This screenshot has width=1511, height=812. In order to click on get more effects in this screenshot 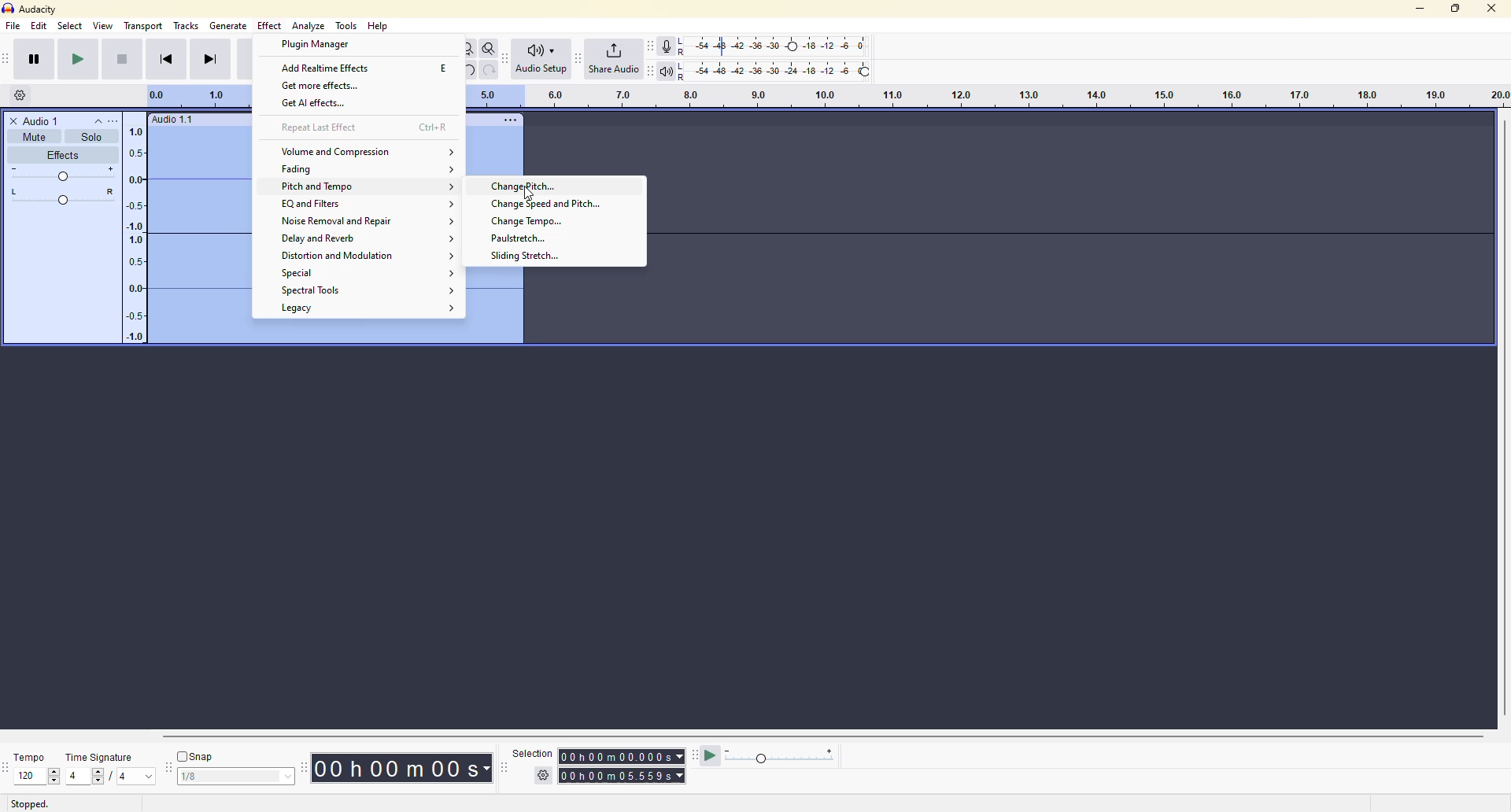, I will do `click(323, 86)`.